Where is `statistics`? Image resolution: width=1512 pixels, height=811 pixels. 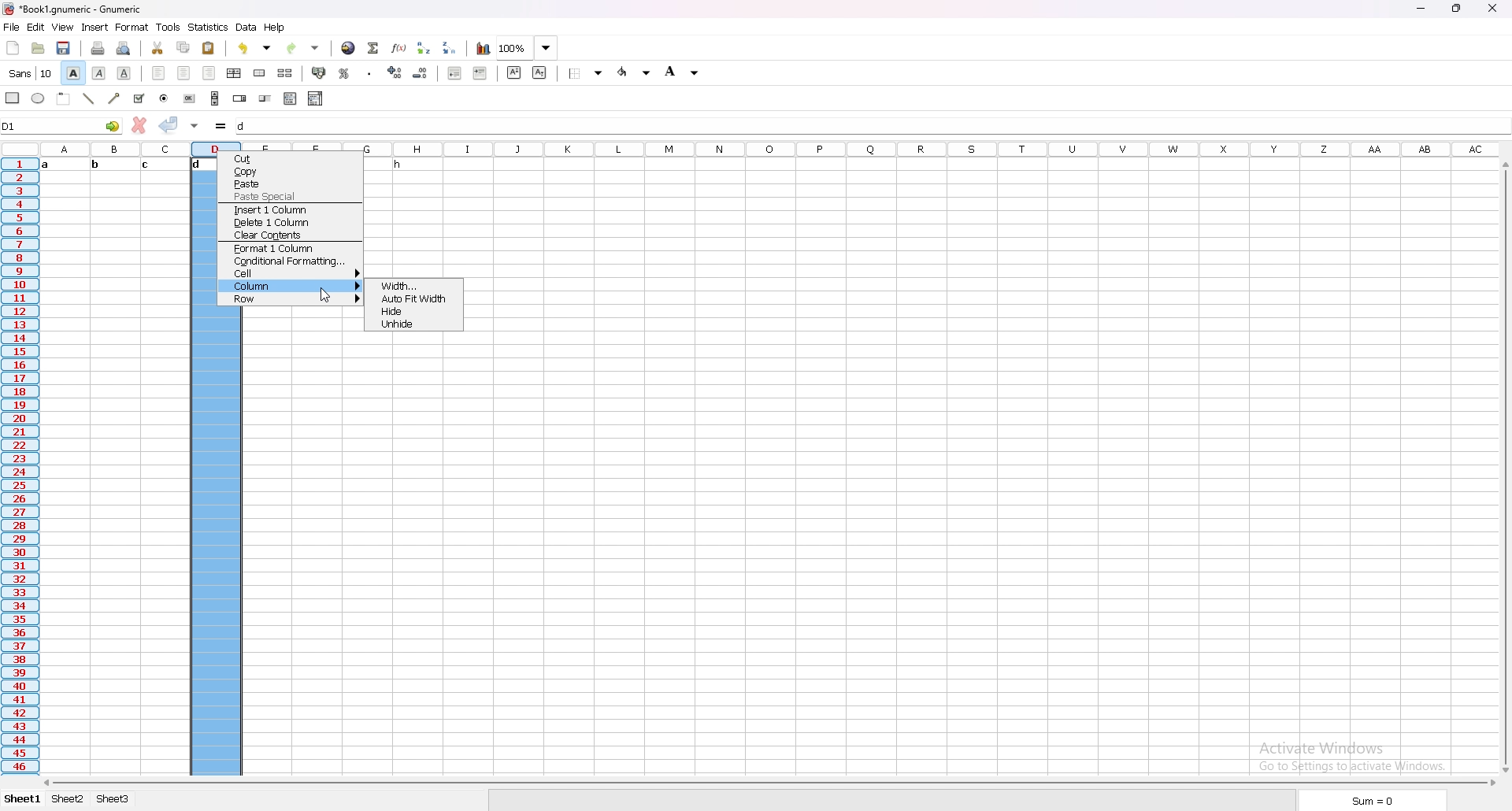
statistics is located at coordinates (209, 28).